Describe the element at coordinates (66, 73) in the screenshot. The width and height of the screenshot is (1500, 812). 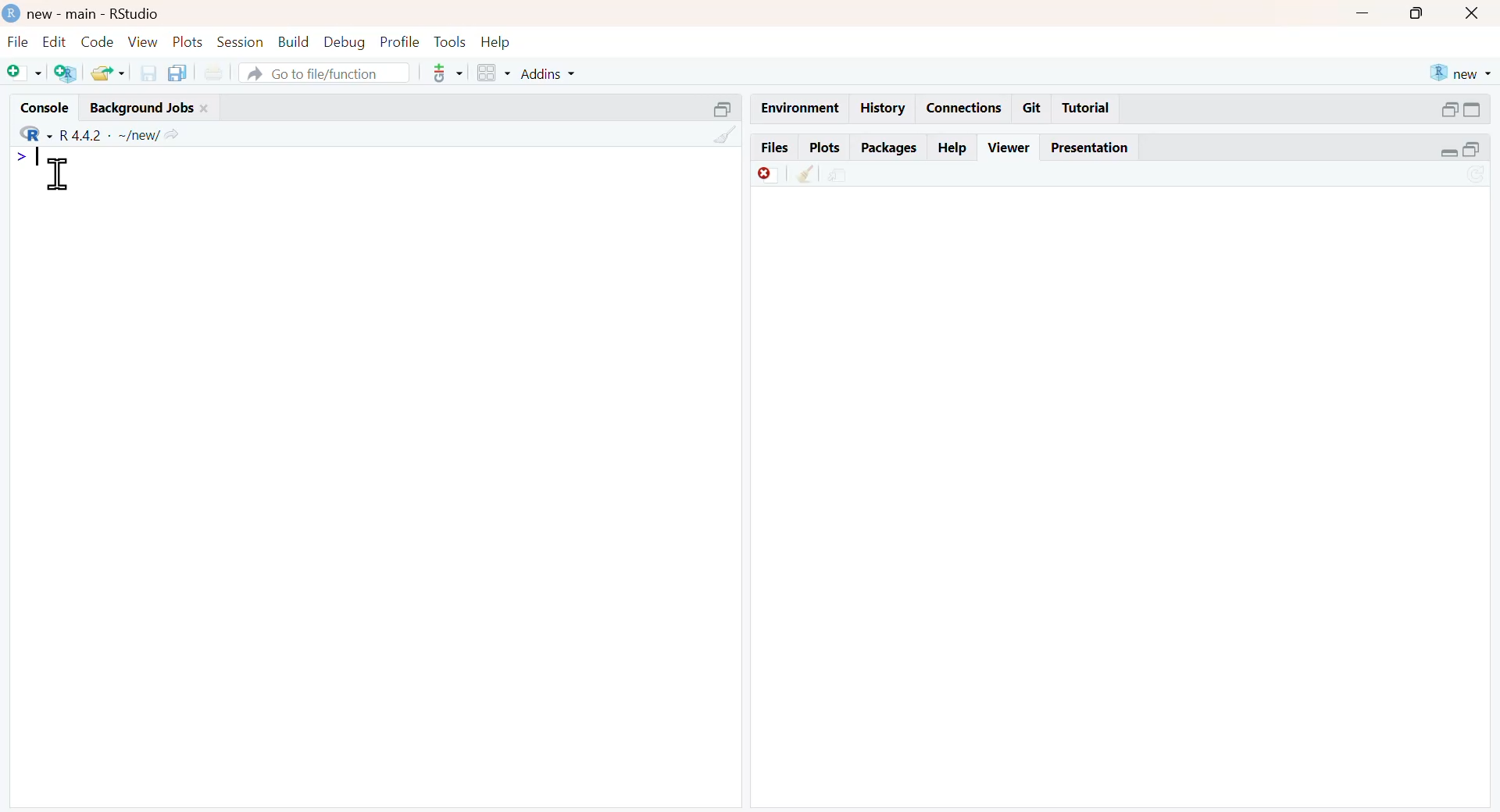
I see `add R file` at that location.